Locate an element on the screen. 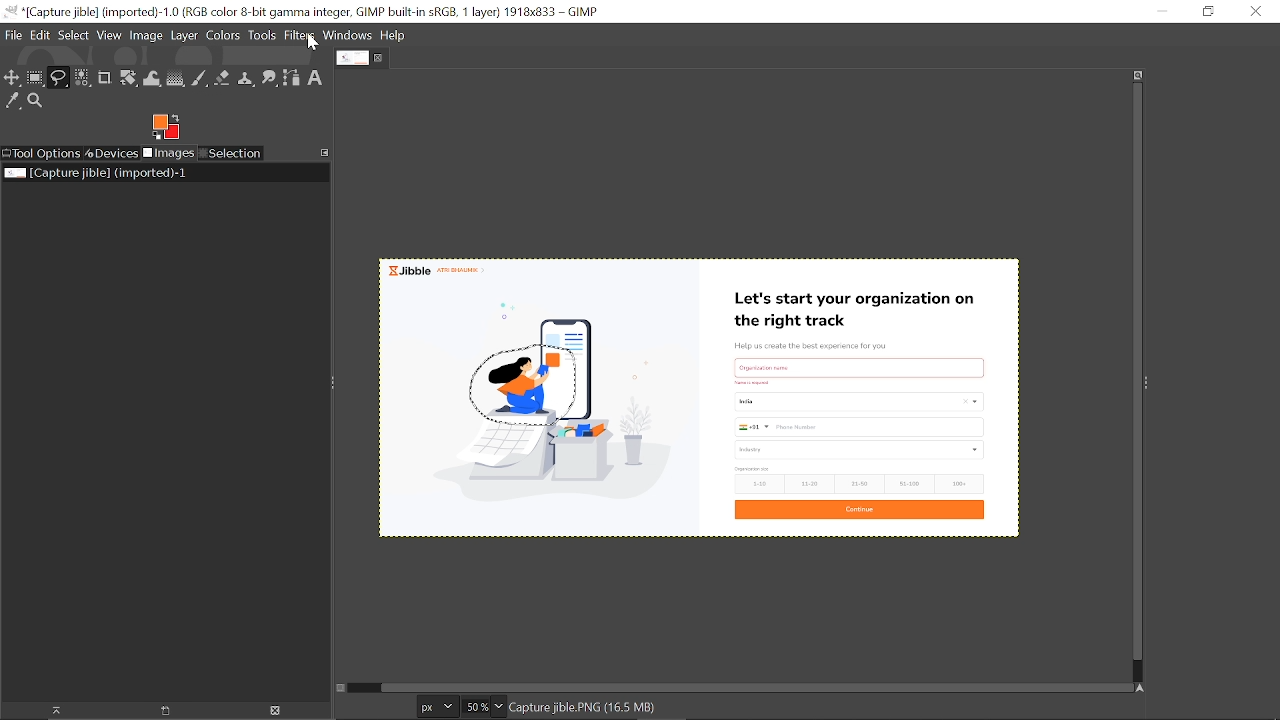 The image size is (1280, 720). Crop text tool is located at coordinates (105, 79).